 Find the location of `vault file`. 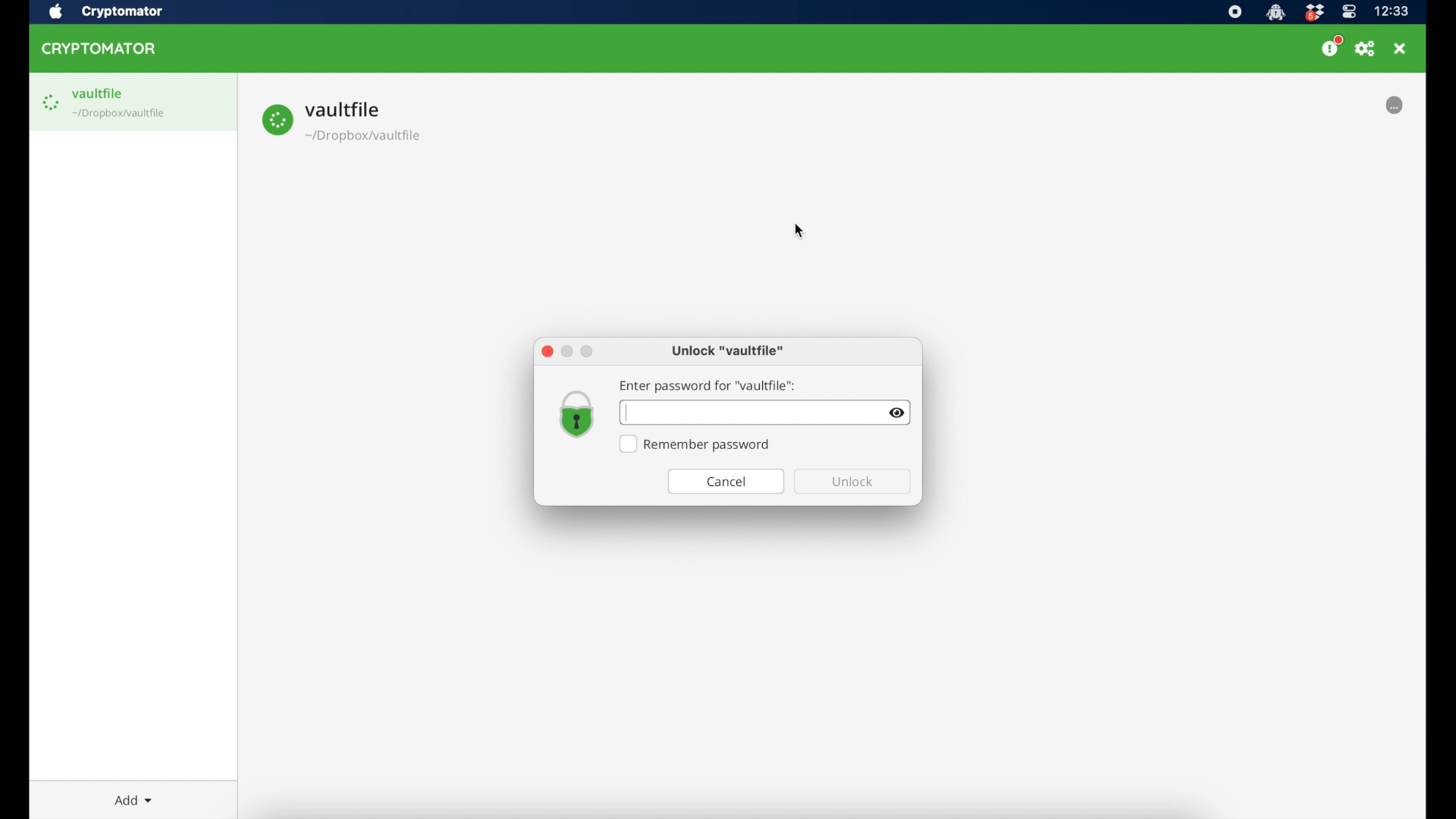

vault file is located at coordinates (342, 121).